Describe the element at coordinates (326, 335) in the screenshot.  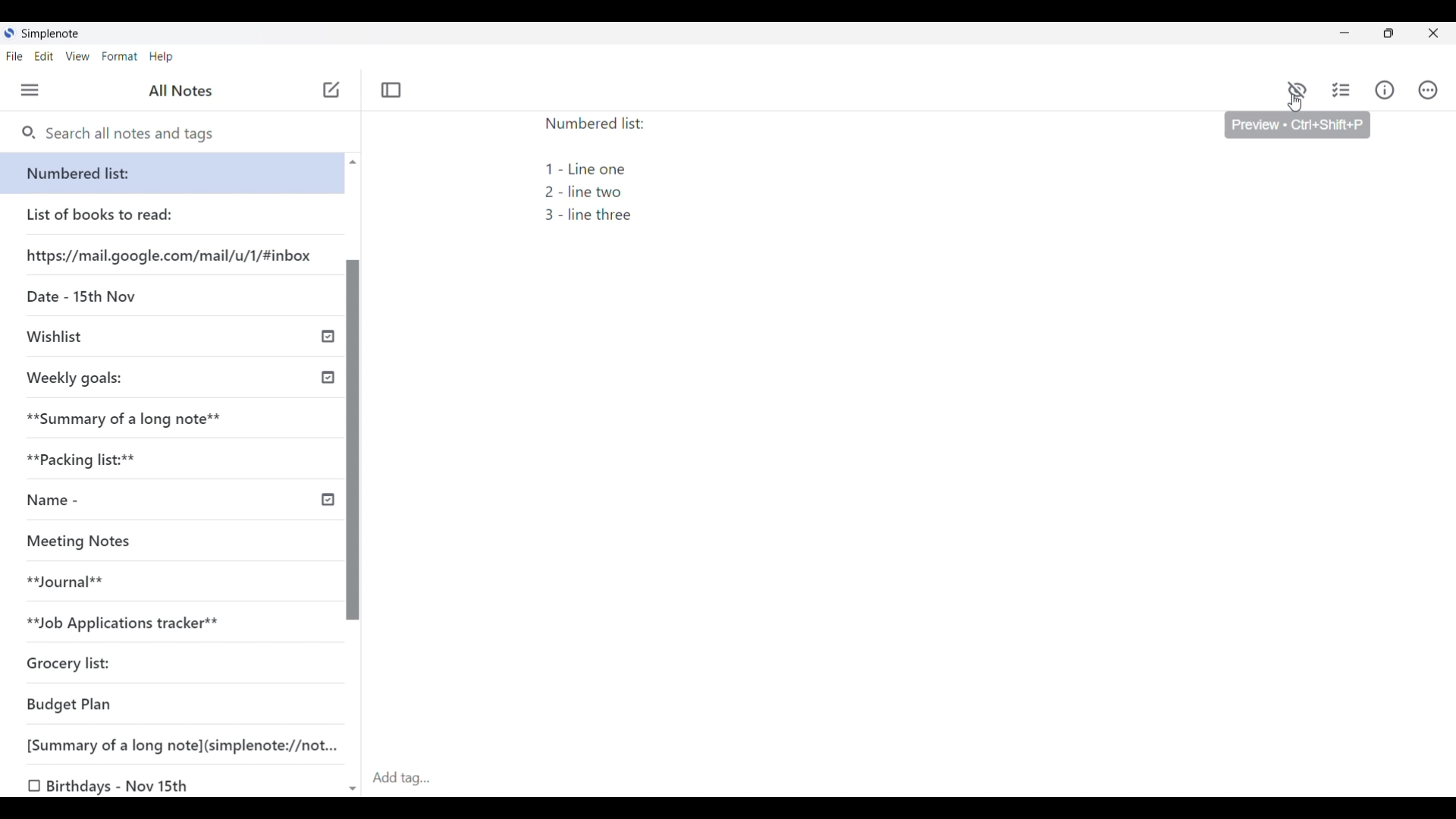
I see `timeline` at that location.